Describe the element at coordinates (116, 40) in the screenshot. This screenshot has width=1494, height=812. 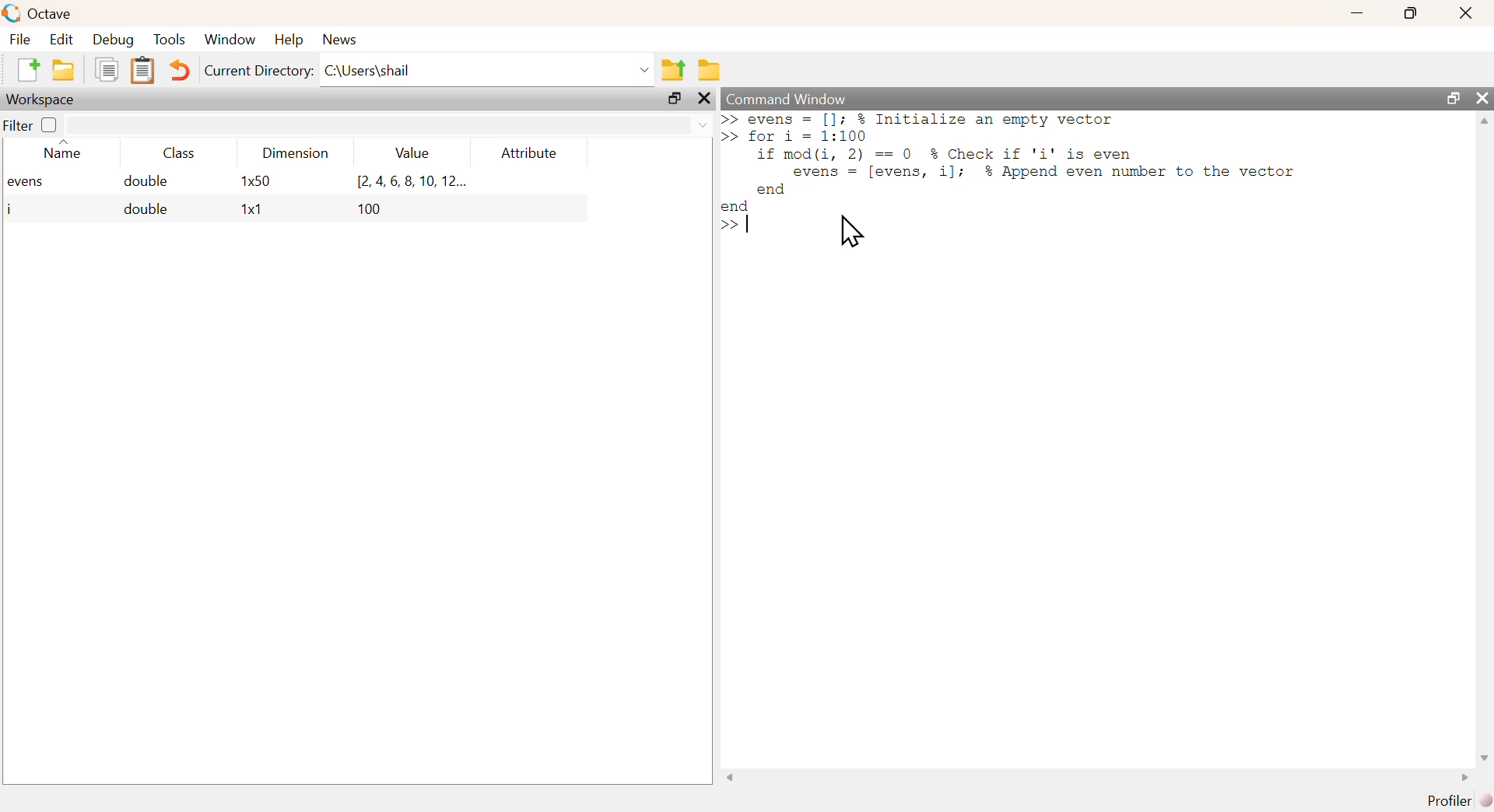
I see `debug` at that location.